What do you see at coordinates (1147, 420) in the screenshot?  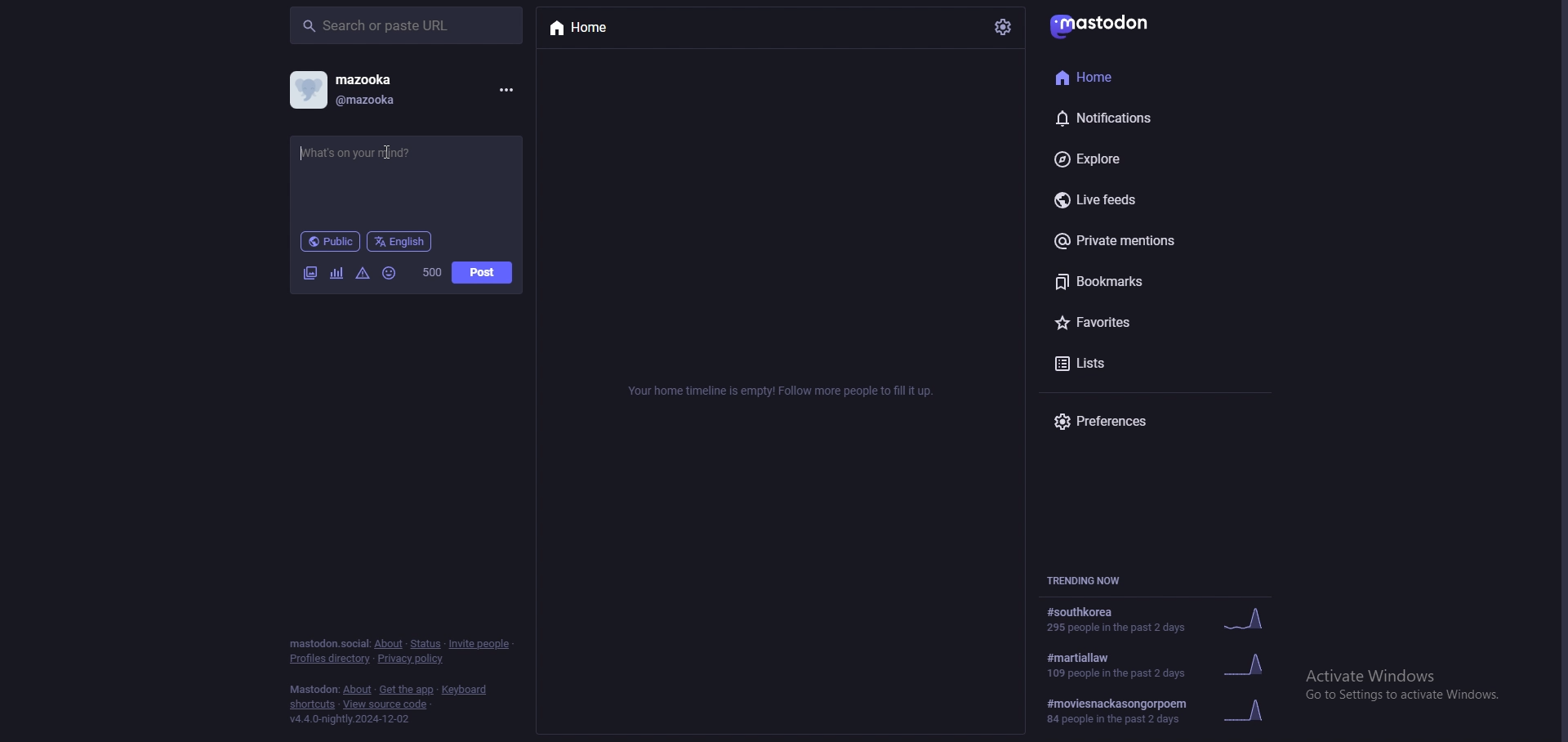 I see `preferences` at bounding box center [1147, 420].